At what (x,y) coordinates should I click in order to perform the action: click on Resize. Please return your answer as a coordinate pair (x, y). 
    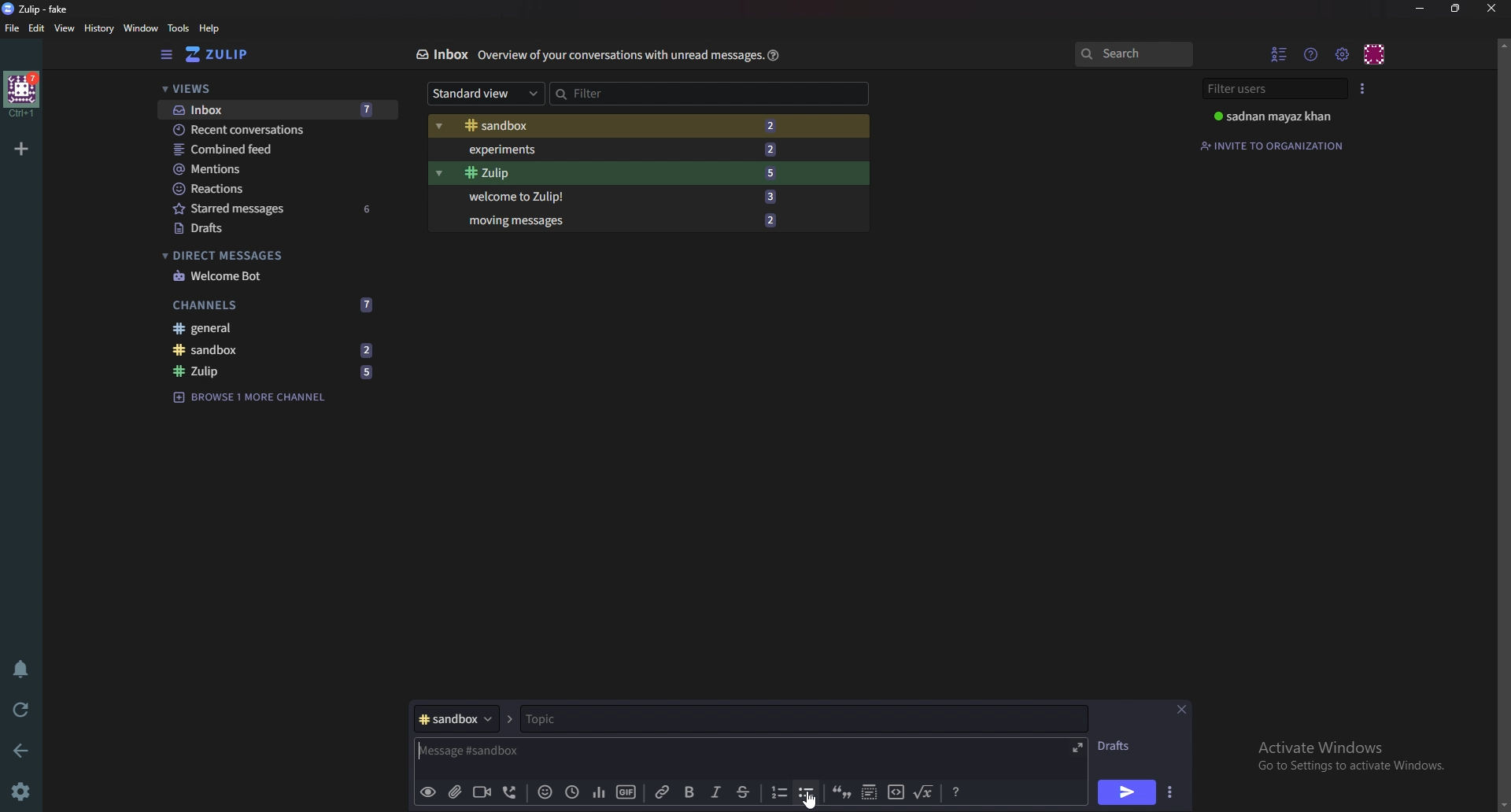
    Looking at the image, I should click on (1458, 8).